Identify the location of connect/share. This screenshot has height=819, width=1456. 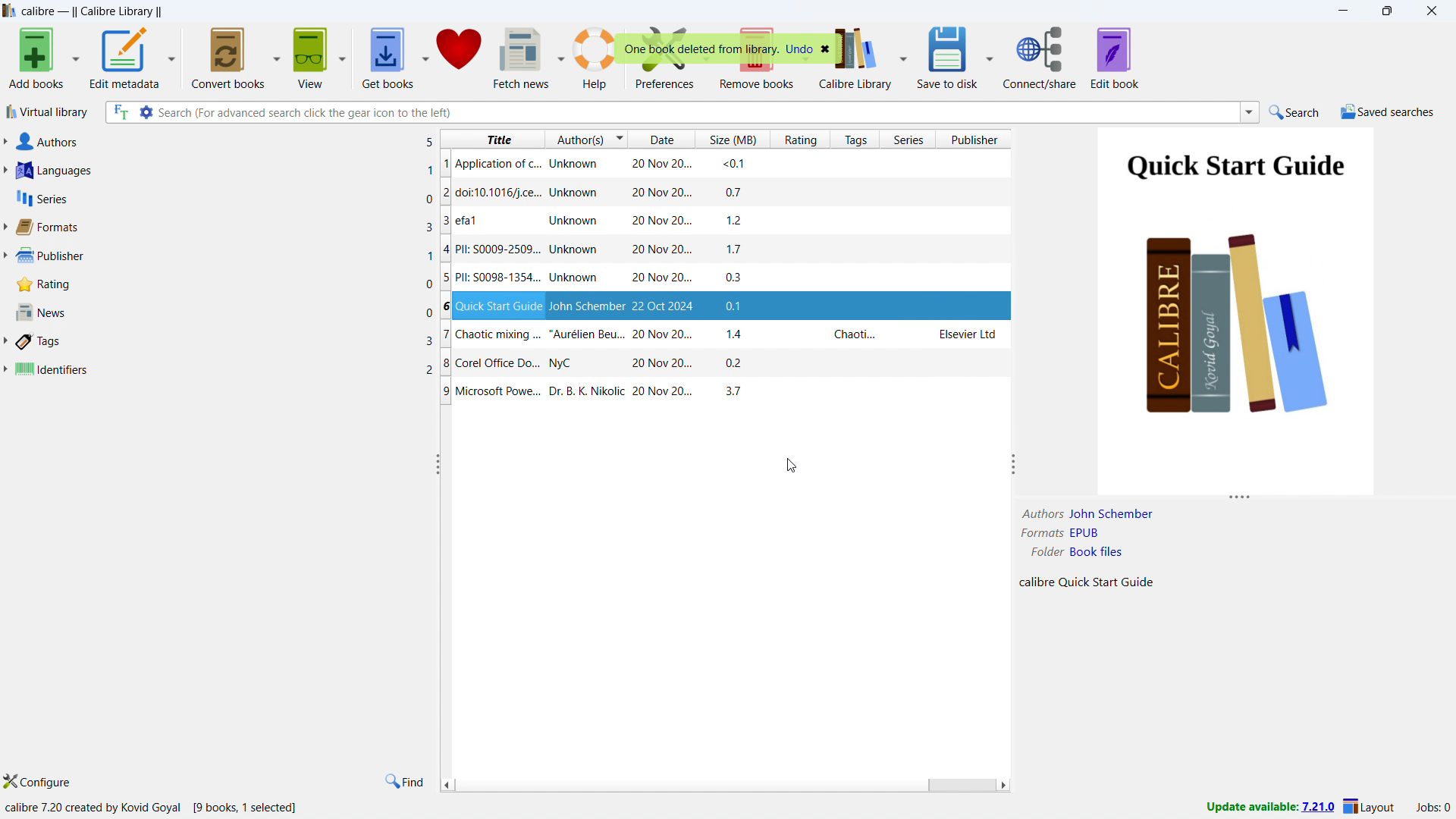
(1041, 57).